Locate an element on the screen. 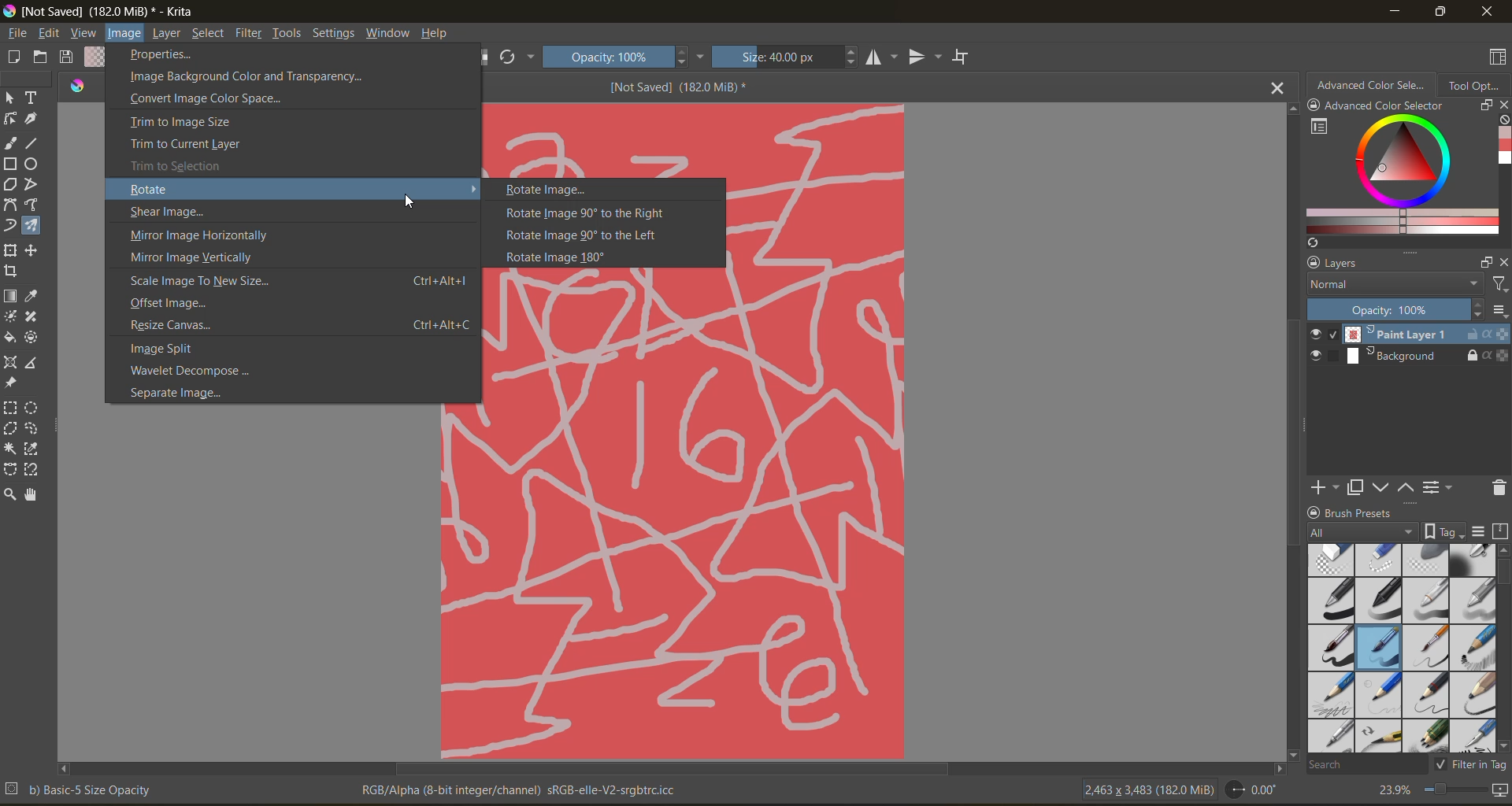 Image resolution: width=1512 pixels, height=806 pixels. filters is located at coordinates (1498, 287).